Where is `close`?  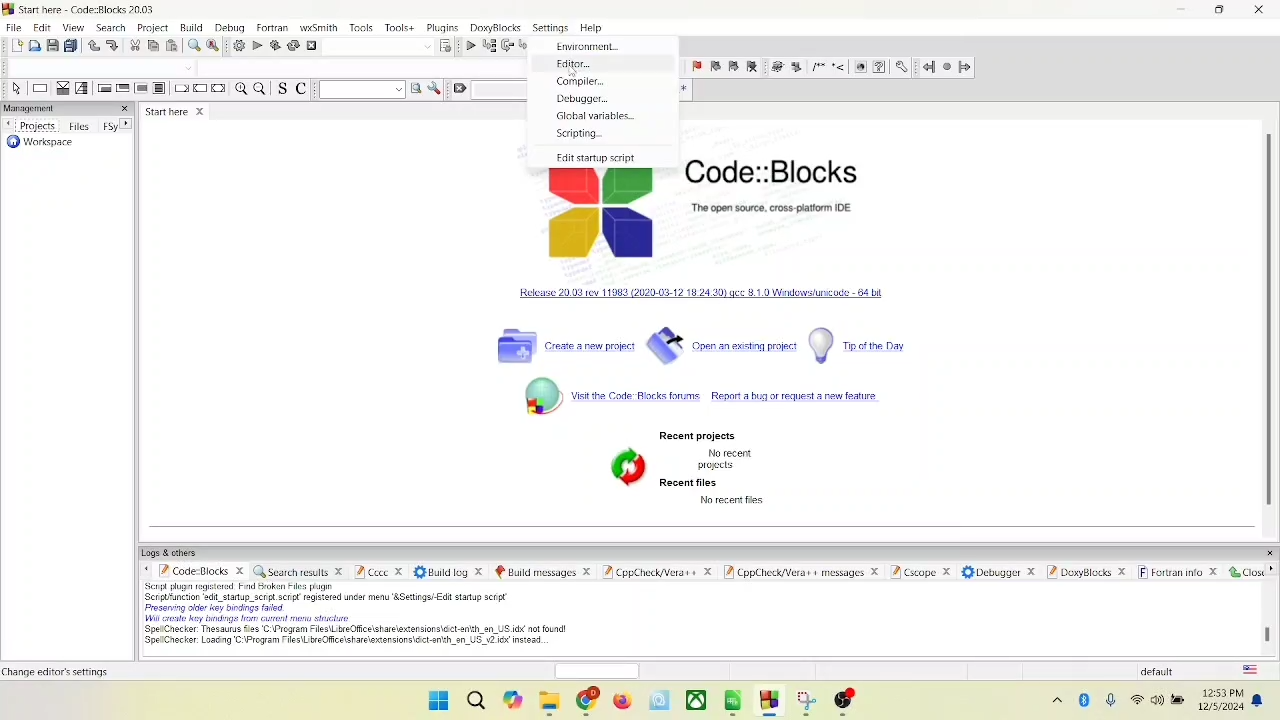 close is located at coordinates (1244, 572).